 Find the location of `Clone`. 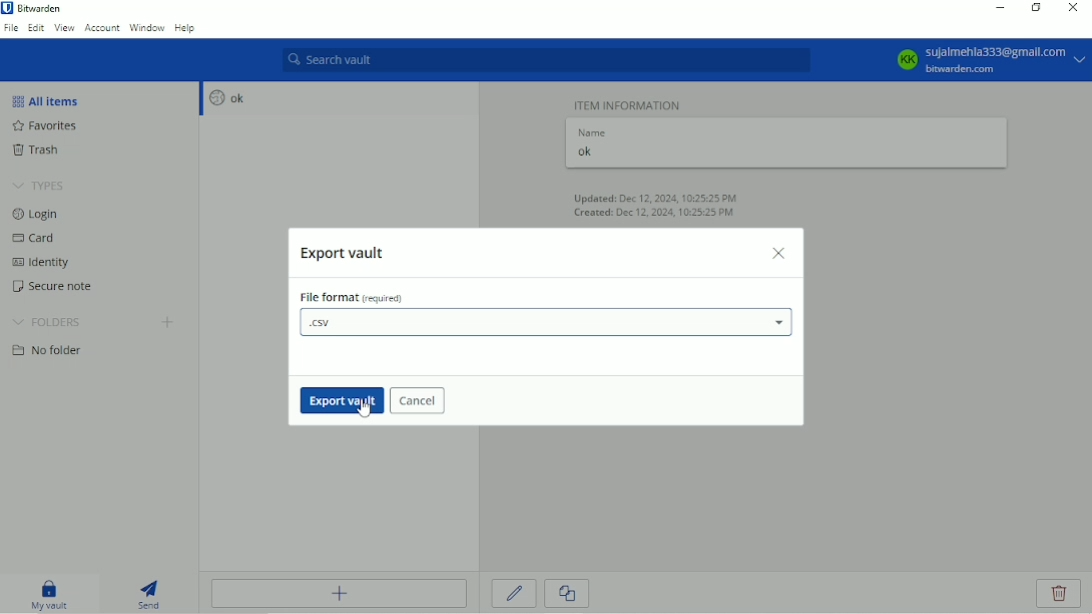

Clone is located at coordinates (566, 594).